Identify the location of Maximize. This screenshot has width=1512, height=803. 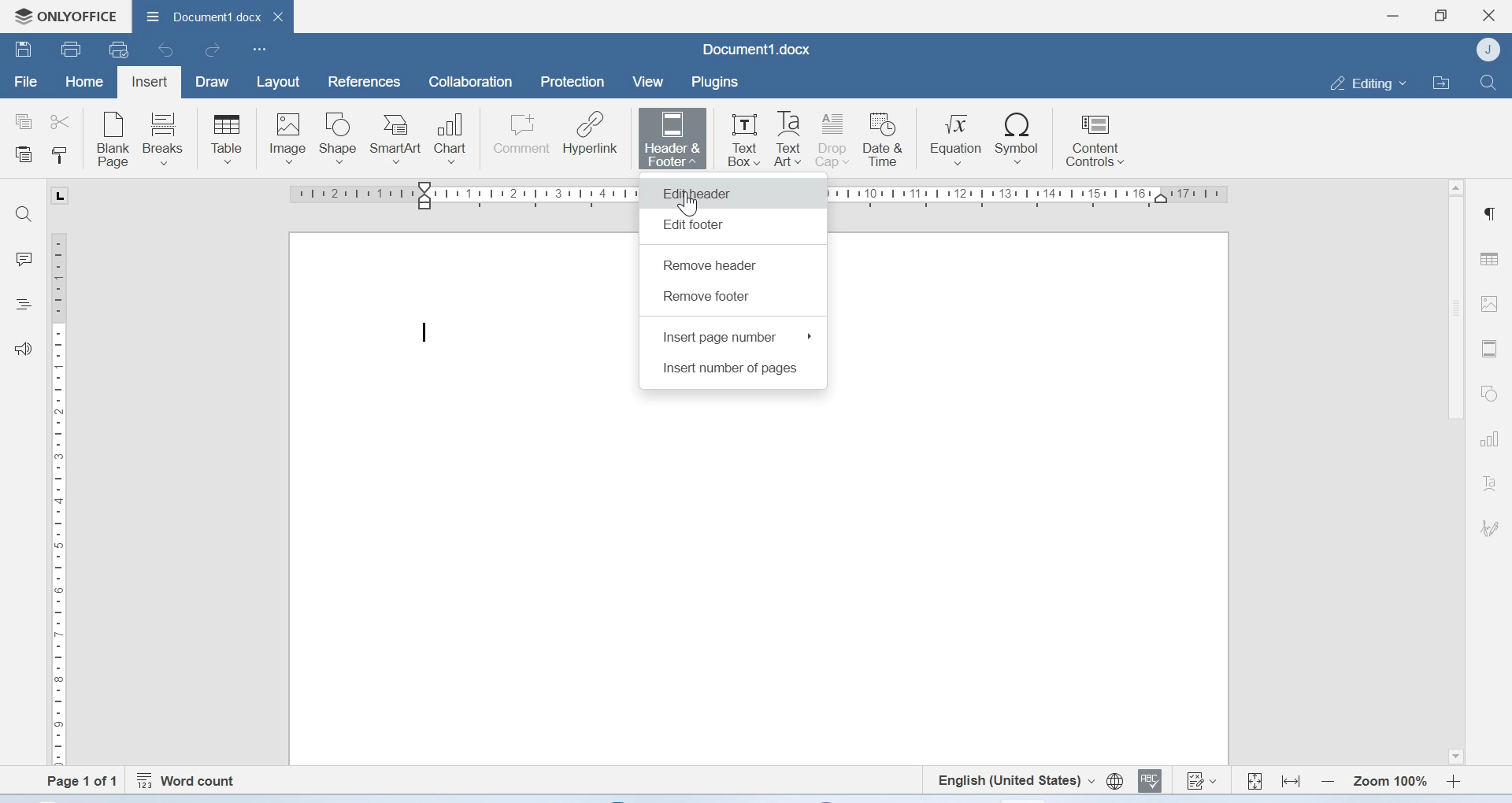
(1442, 14).